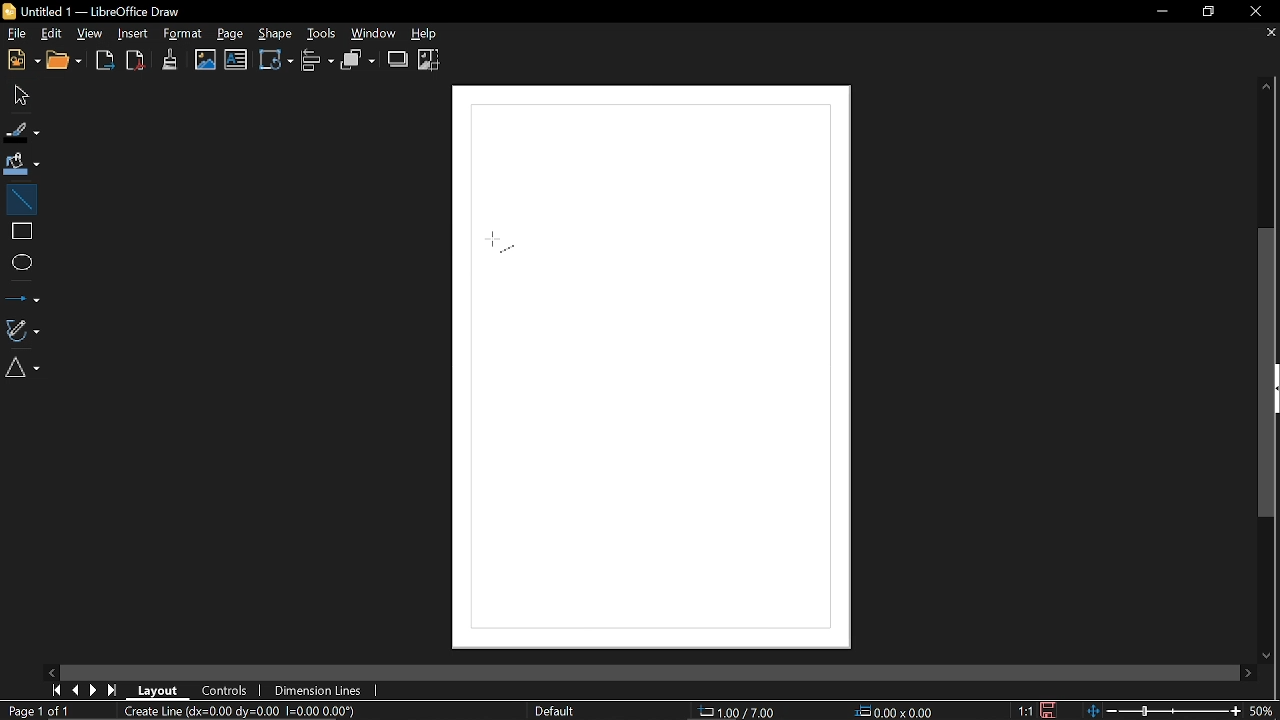  What do you see at coordinates (102, 11) in the screenshot?
I see `Current window` at bounding box center [102, 11].